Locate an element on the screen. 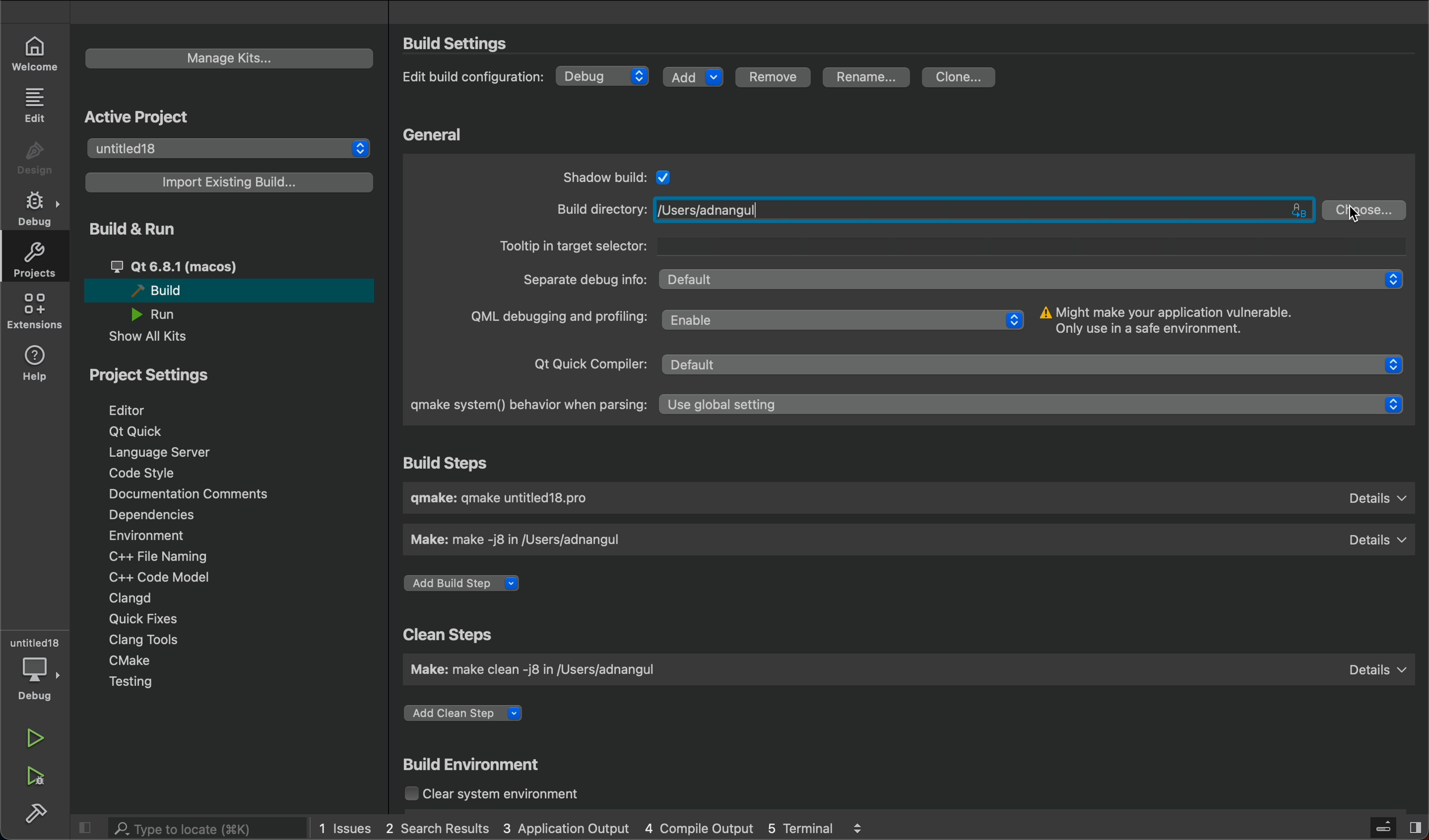  run is located at coordinates (35, 738).